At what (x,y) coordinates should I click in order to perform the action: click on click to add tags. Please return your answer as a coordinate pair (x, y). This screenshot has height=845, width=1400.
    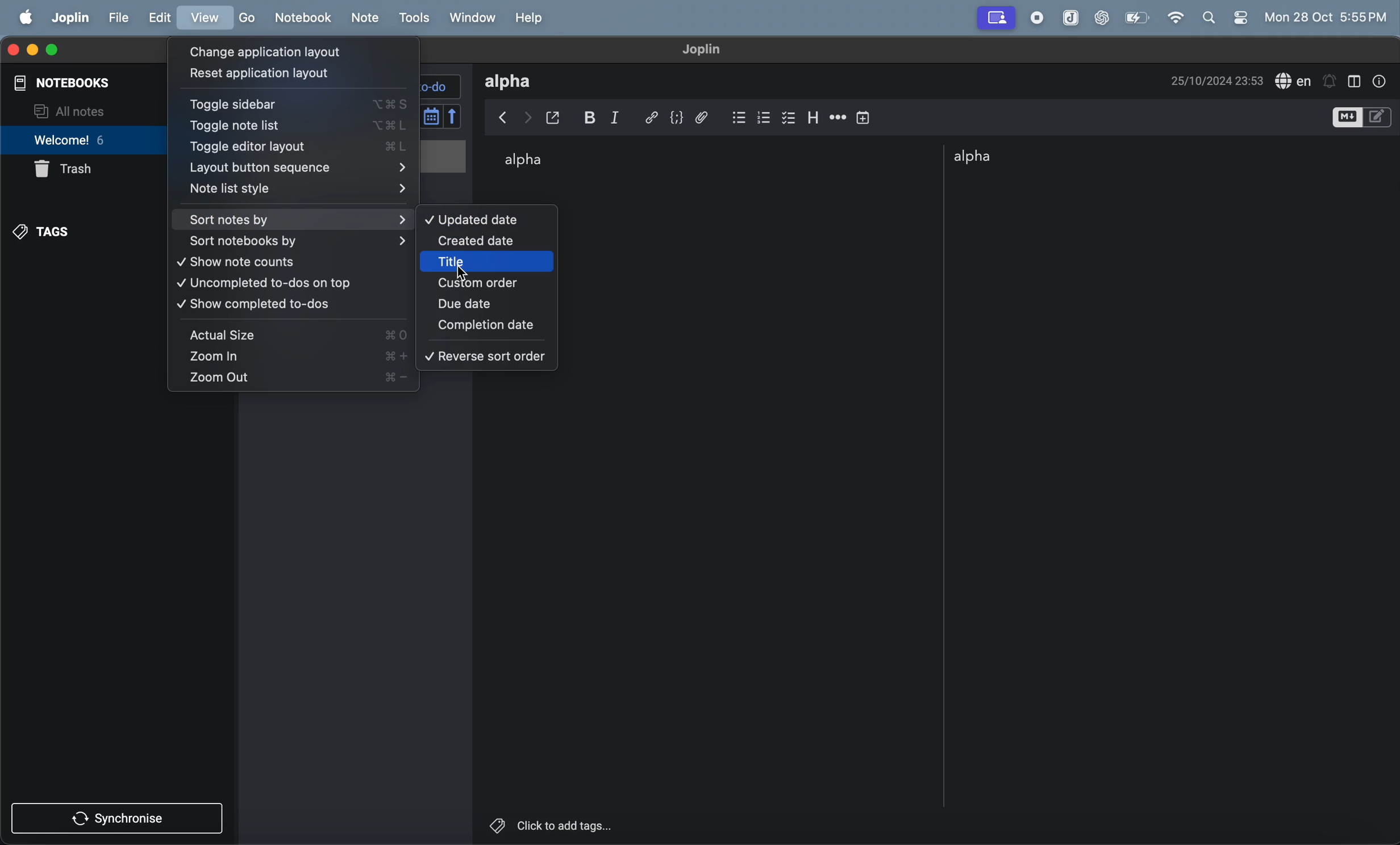
    Looking at the image, I should click on (594, 824).